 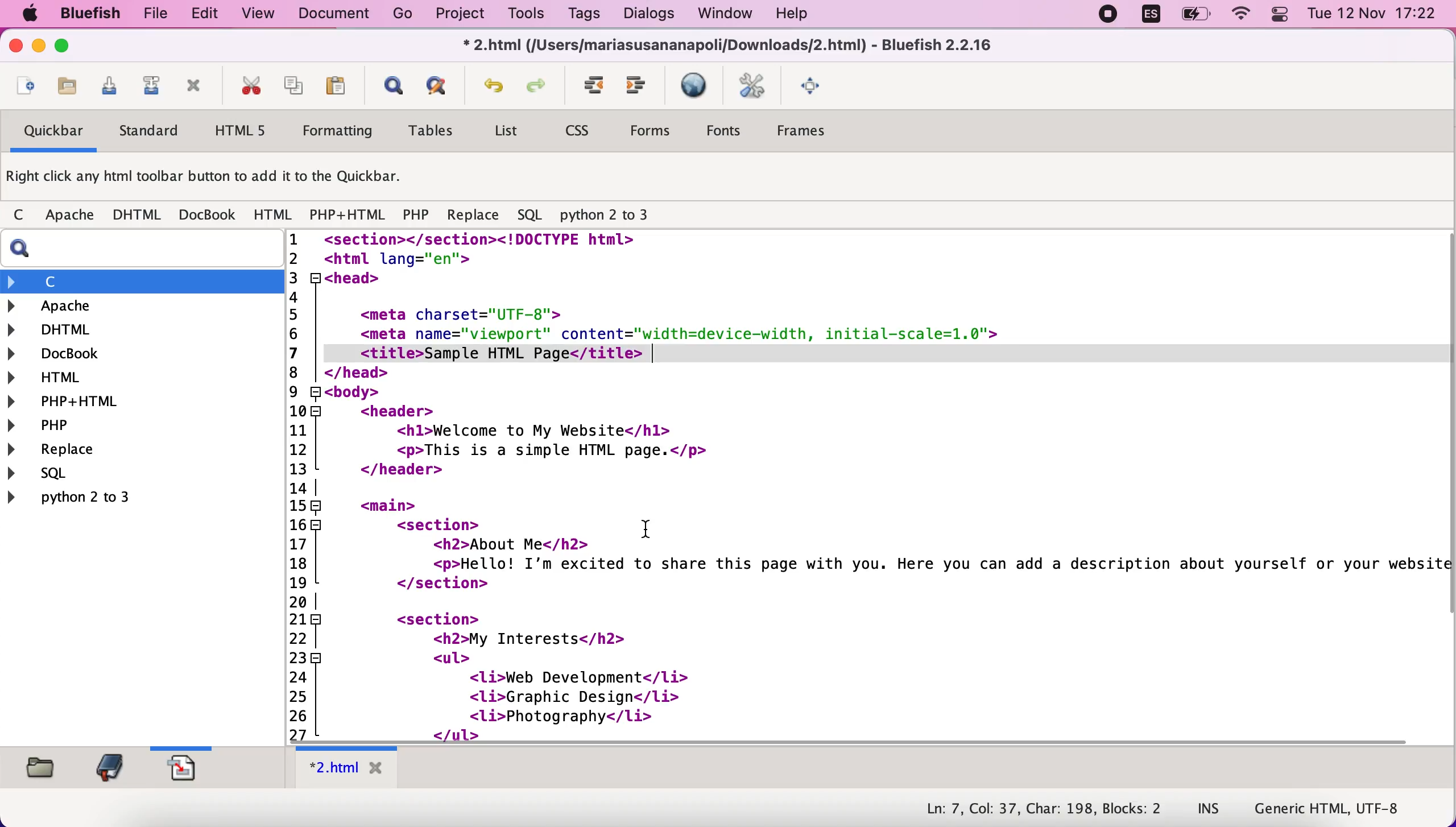 I want to click on dhtml, so click(x=139, y=331).